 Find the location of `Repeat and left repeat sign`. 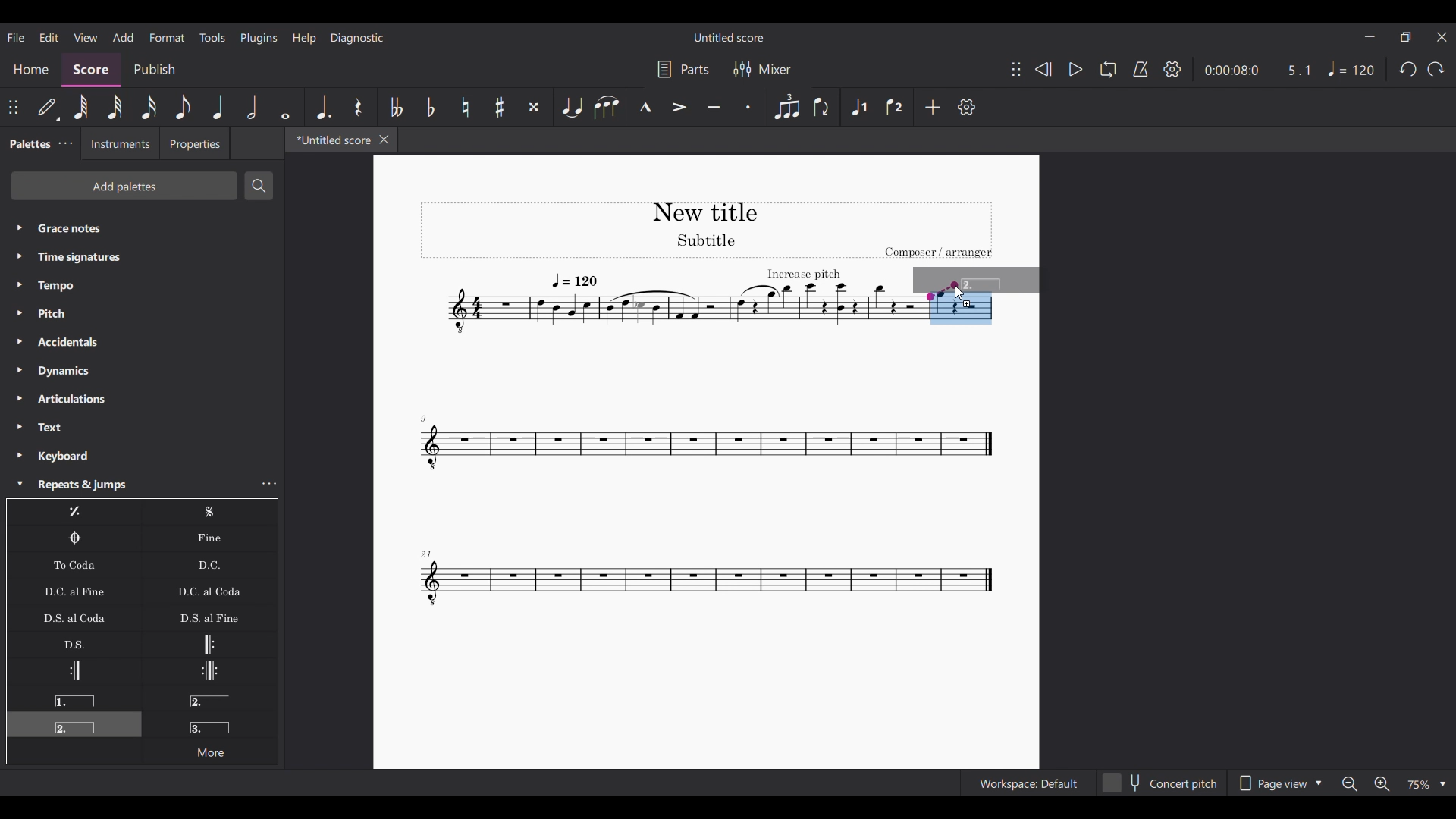

Repeat and left repeat sign is located at coordinates (209, 671).